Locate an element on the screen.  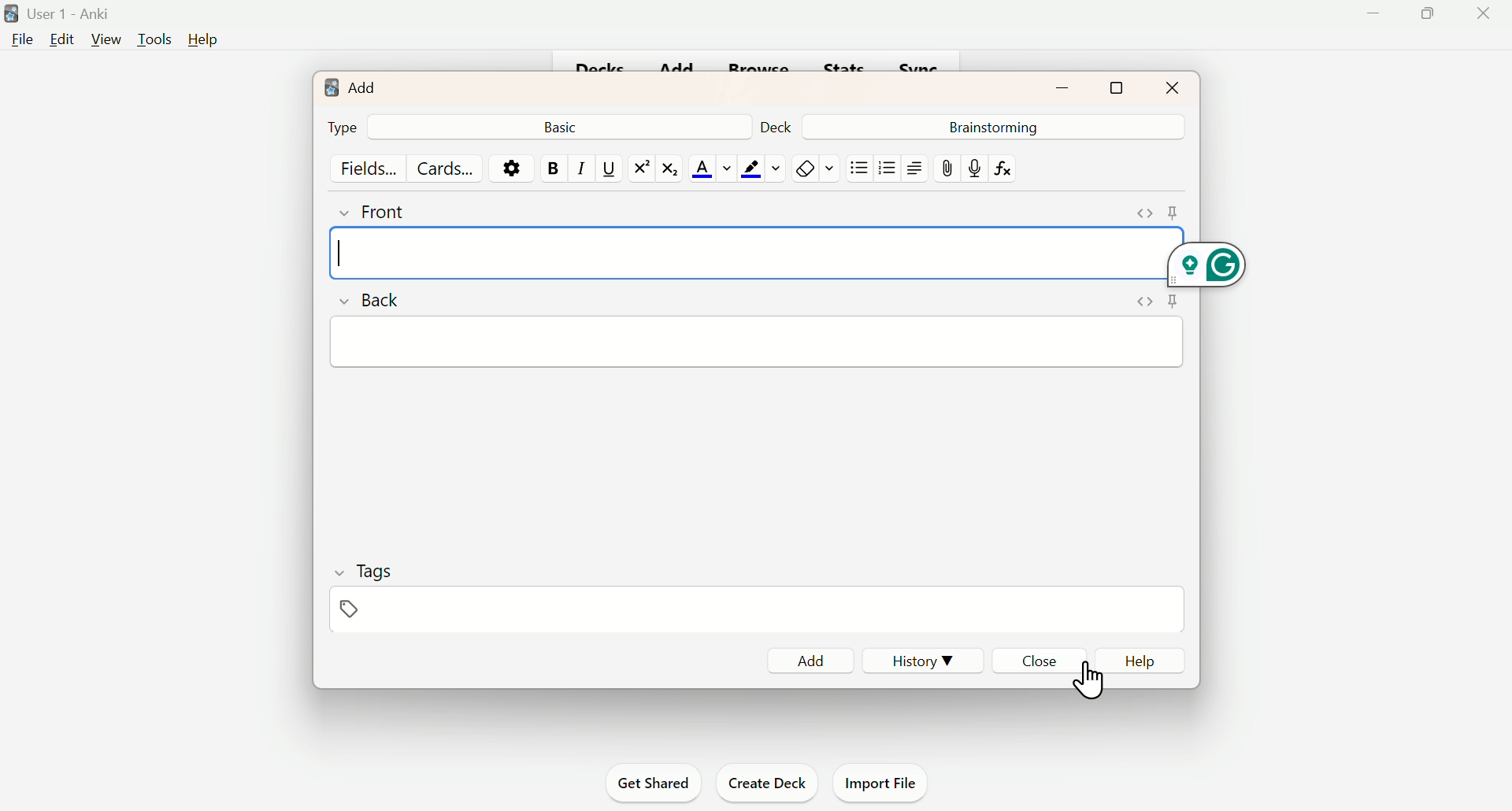
Italiac is located at coordinates (580, 167).